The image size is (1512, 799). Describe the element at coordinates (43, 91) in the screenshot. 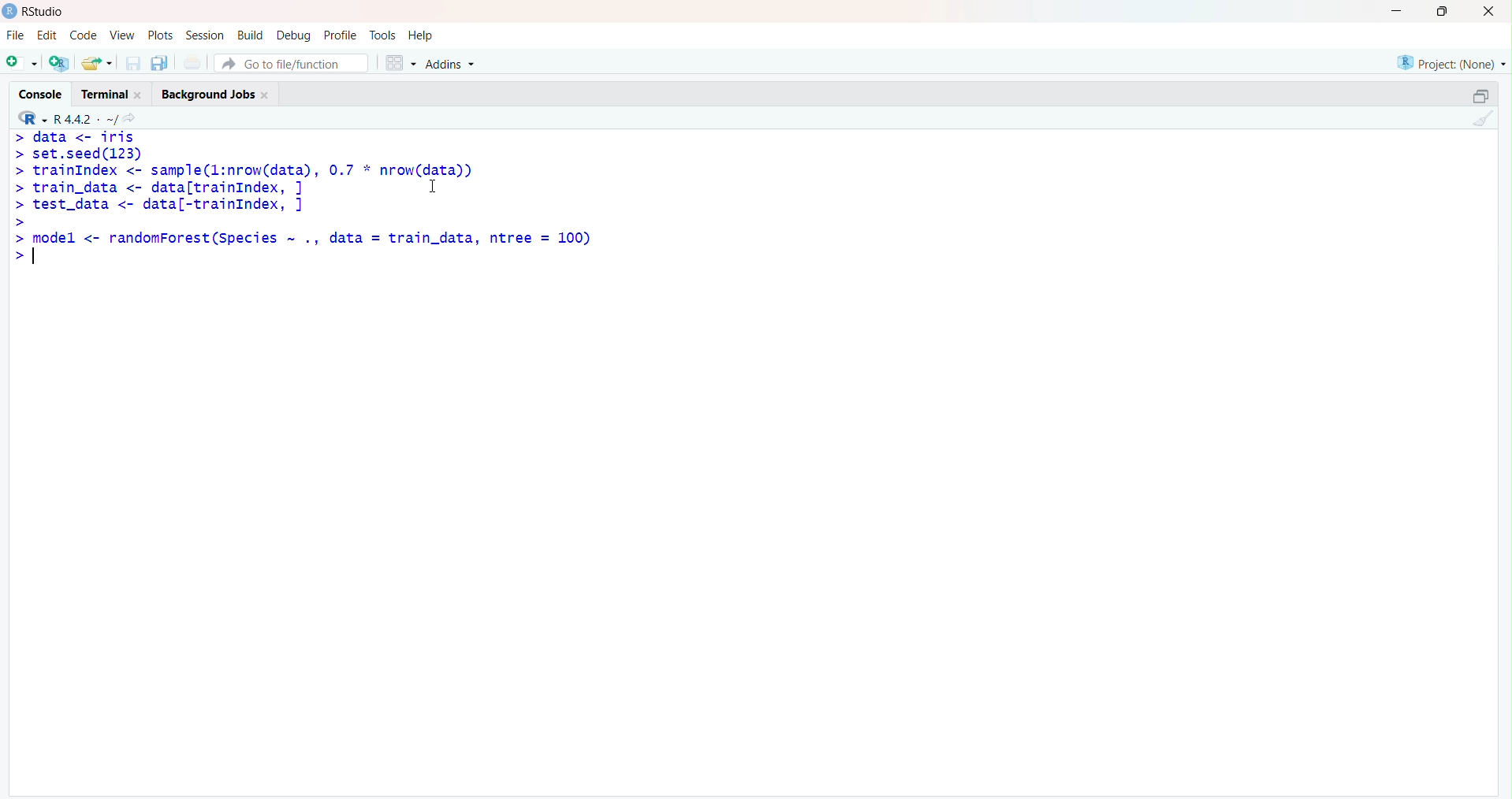

I see `Console` at that location.